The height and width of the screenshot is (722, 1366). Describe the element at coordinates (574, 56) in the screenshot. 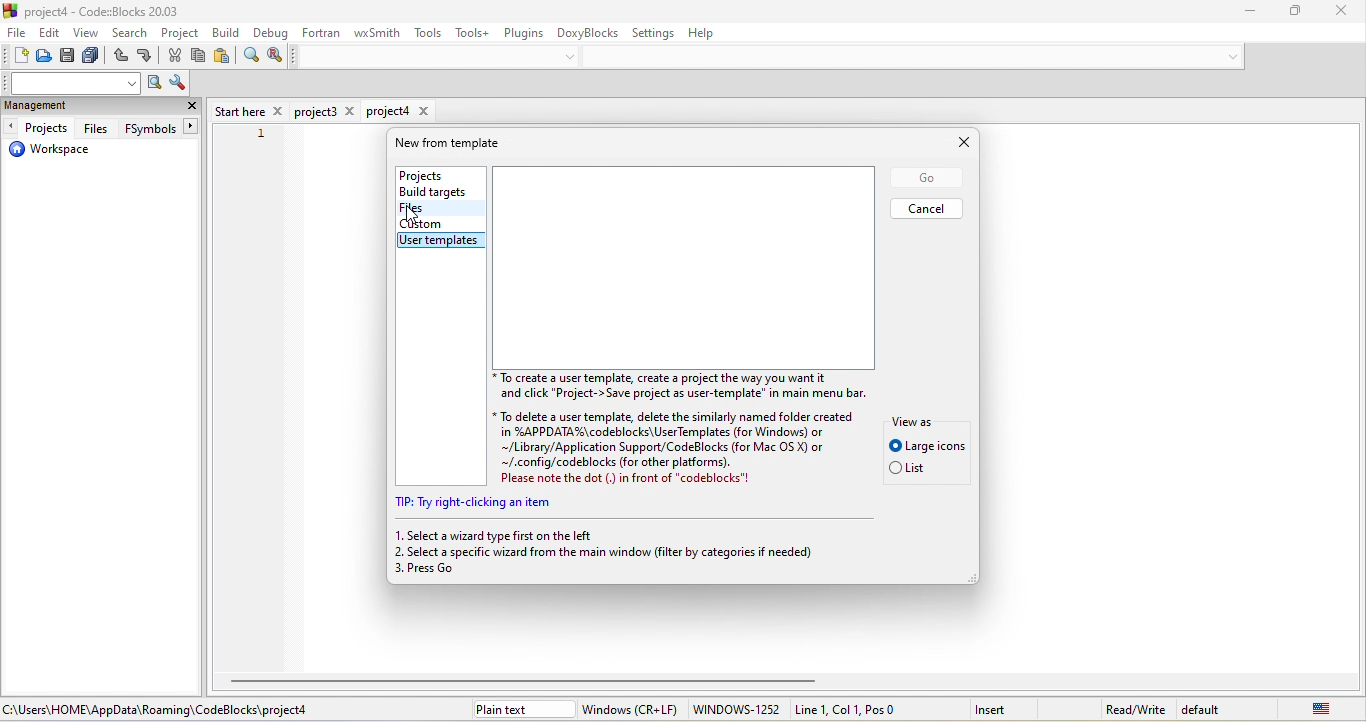

I see `down` at that location.